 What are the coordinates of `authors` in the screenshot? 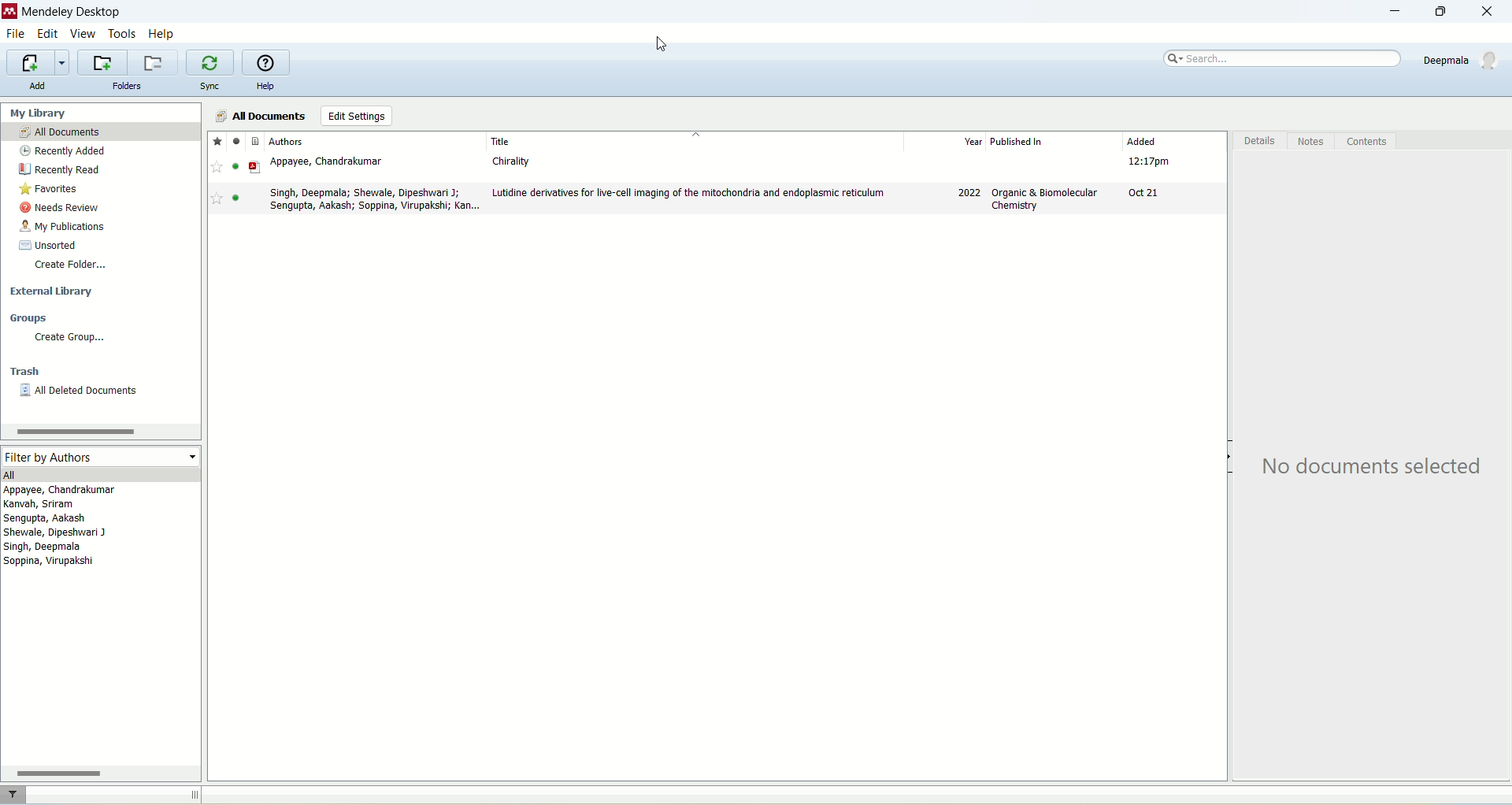 It's located at (359, 139).